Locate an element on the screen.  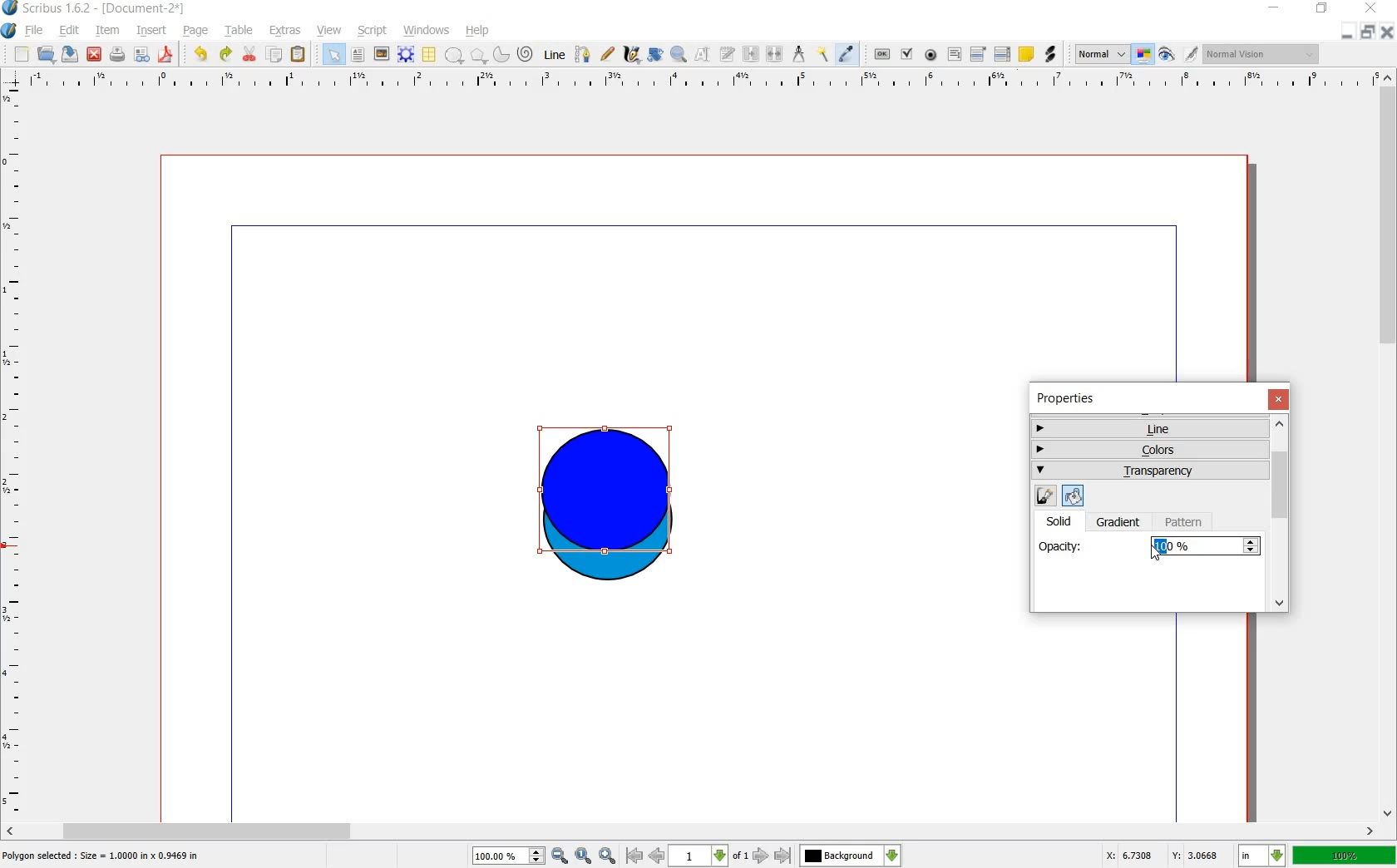
table is located at coordinates (428, 55).